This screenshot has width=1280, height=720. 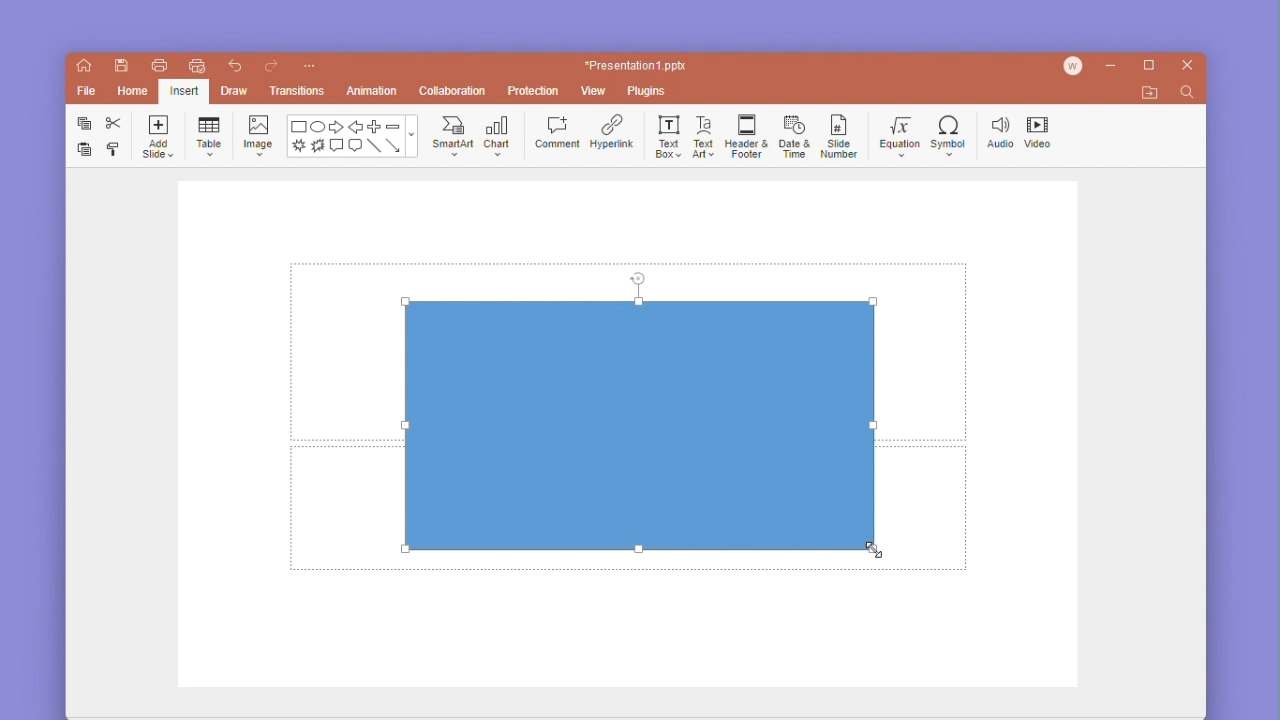 I want to click on moreshapes, so click(x=415, y=135).